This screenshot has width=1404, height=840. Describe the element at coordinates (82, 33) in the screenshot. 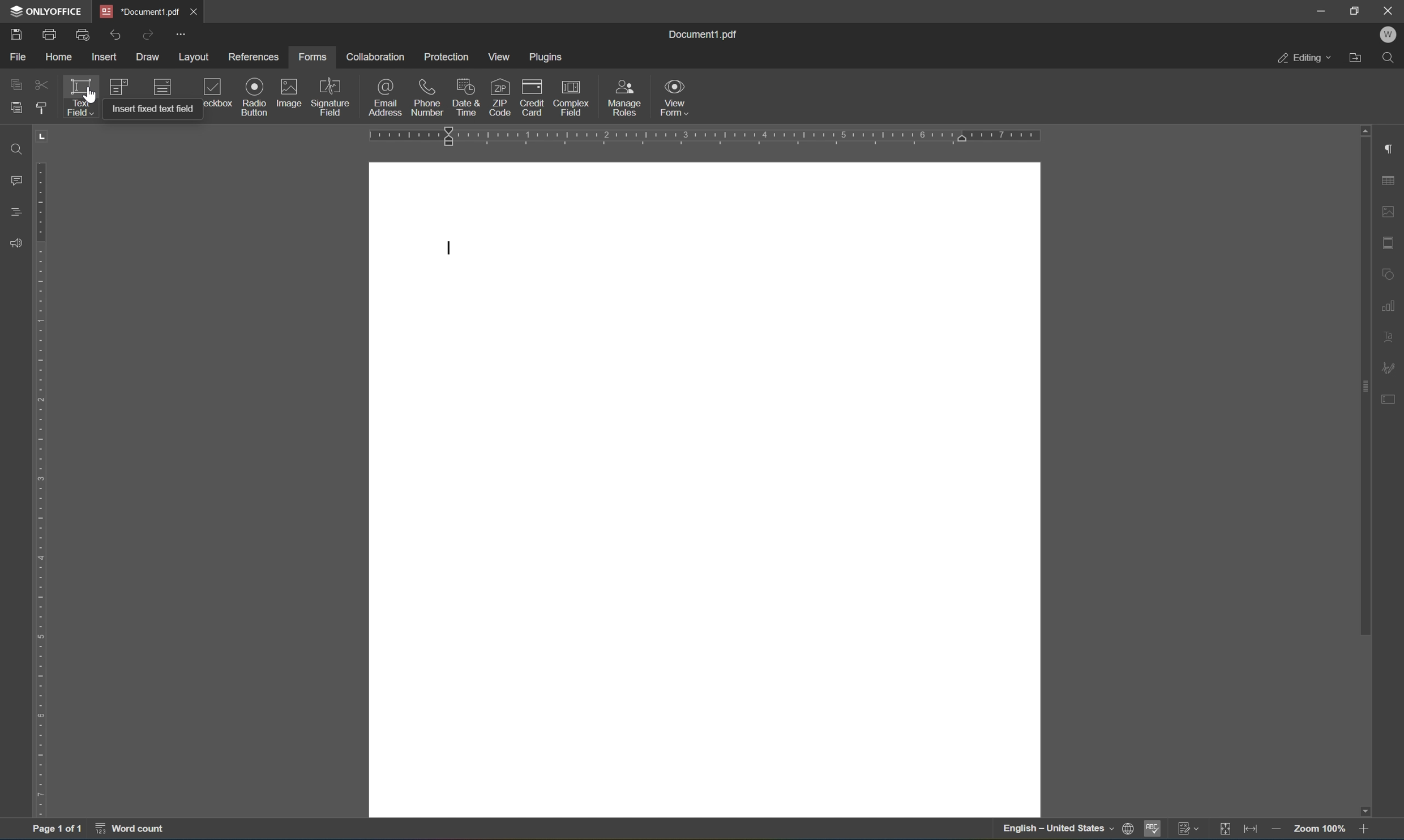

I see `print preview` at that location.